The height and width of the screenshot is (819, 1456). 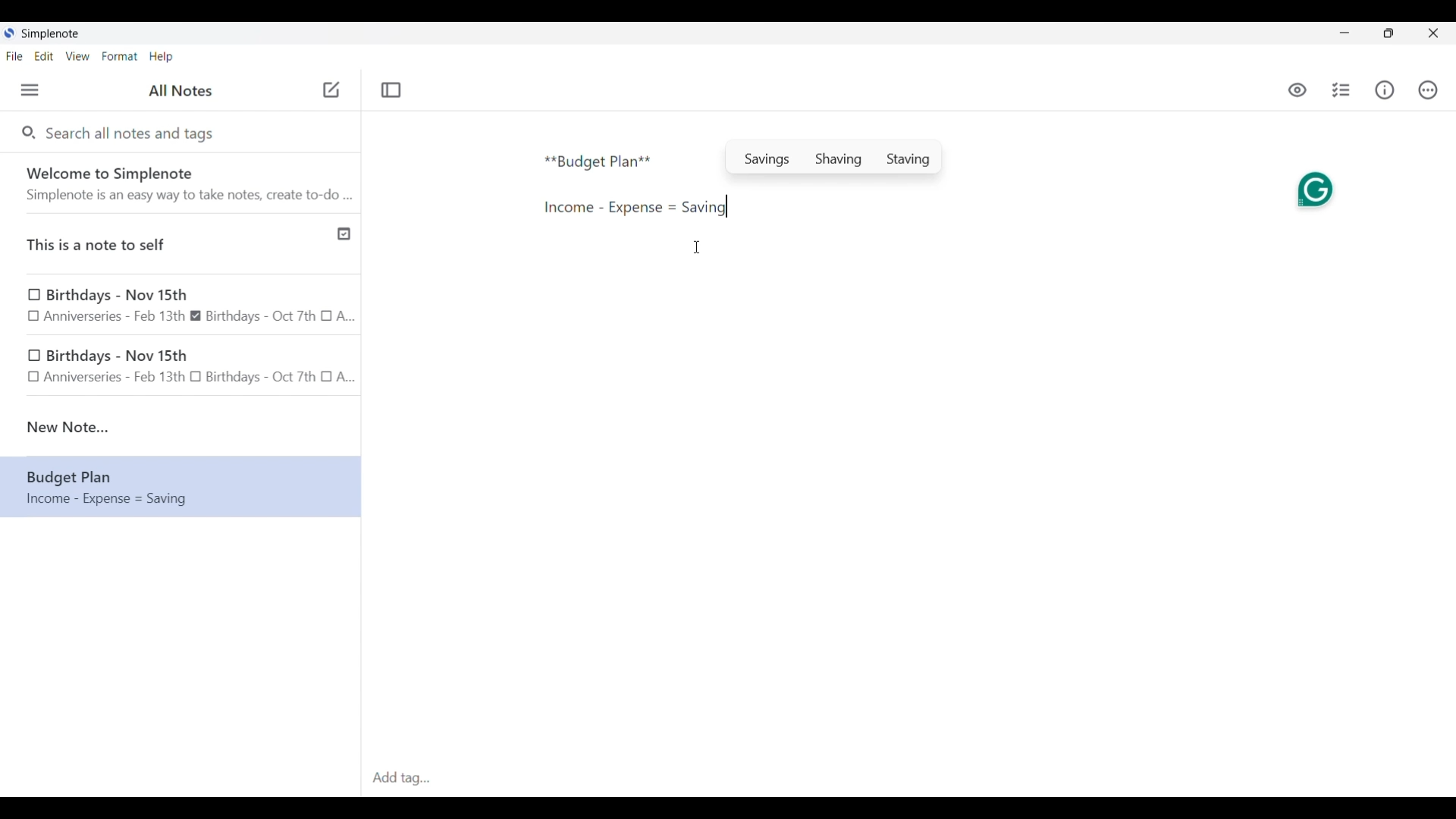 What do you see at coordinates (14, 55) in the screenshot?
I see `File menu` at bounding box center [14, 55].